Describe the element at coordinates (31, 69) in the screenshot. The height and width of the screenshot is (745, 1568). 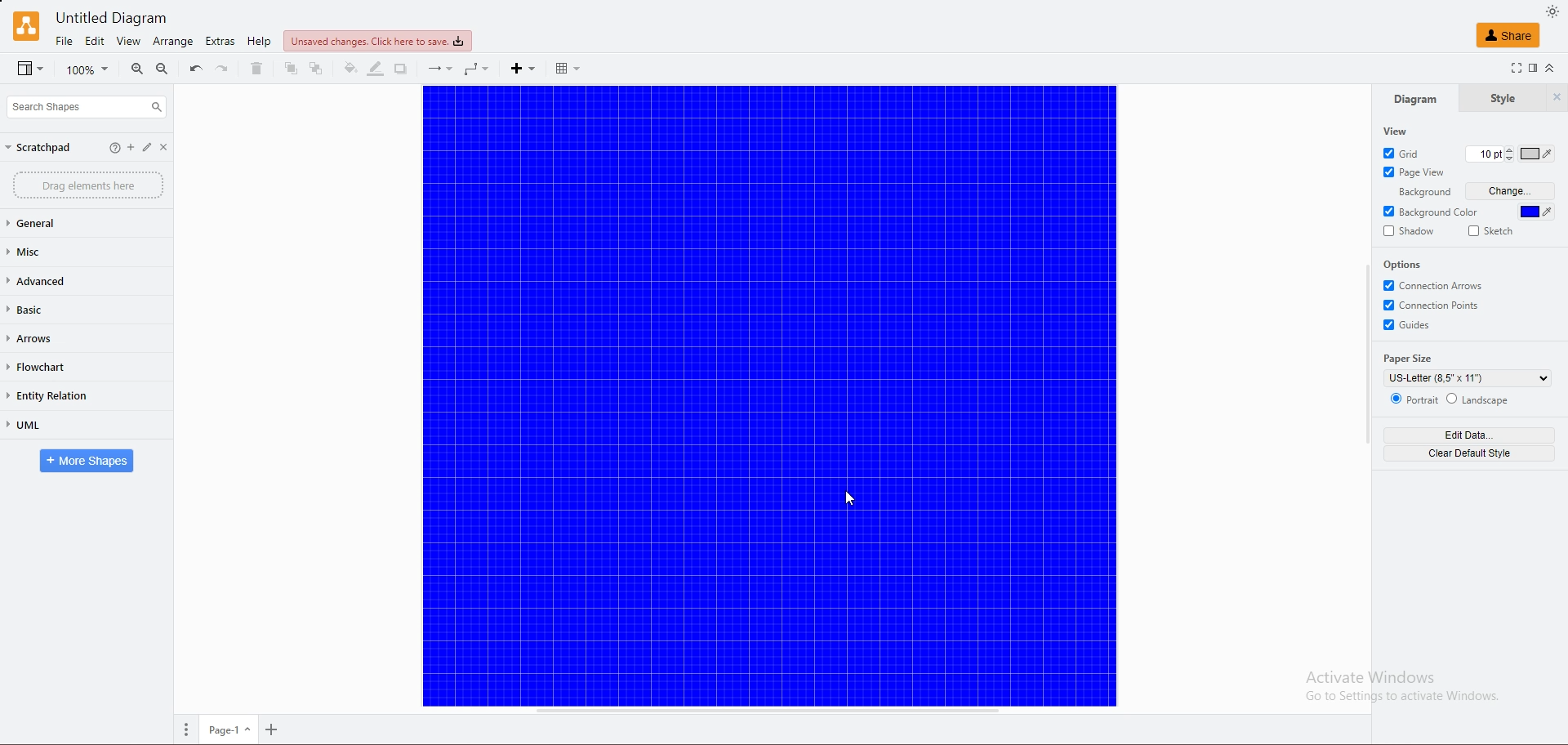
I see `view` at that location.